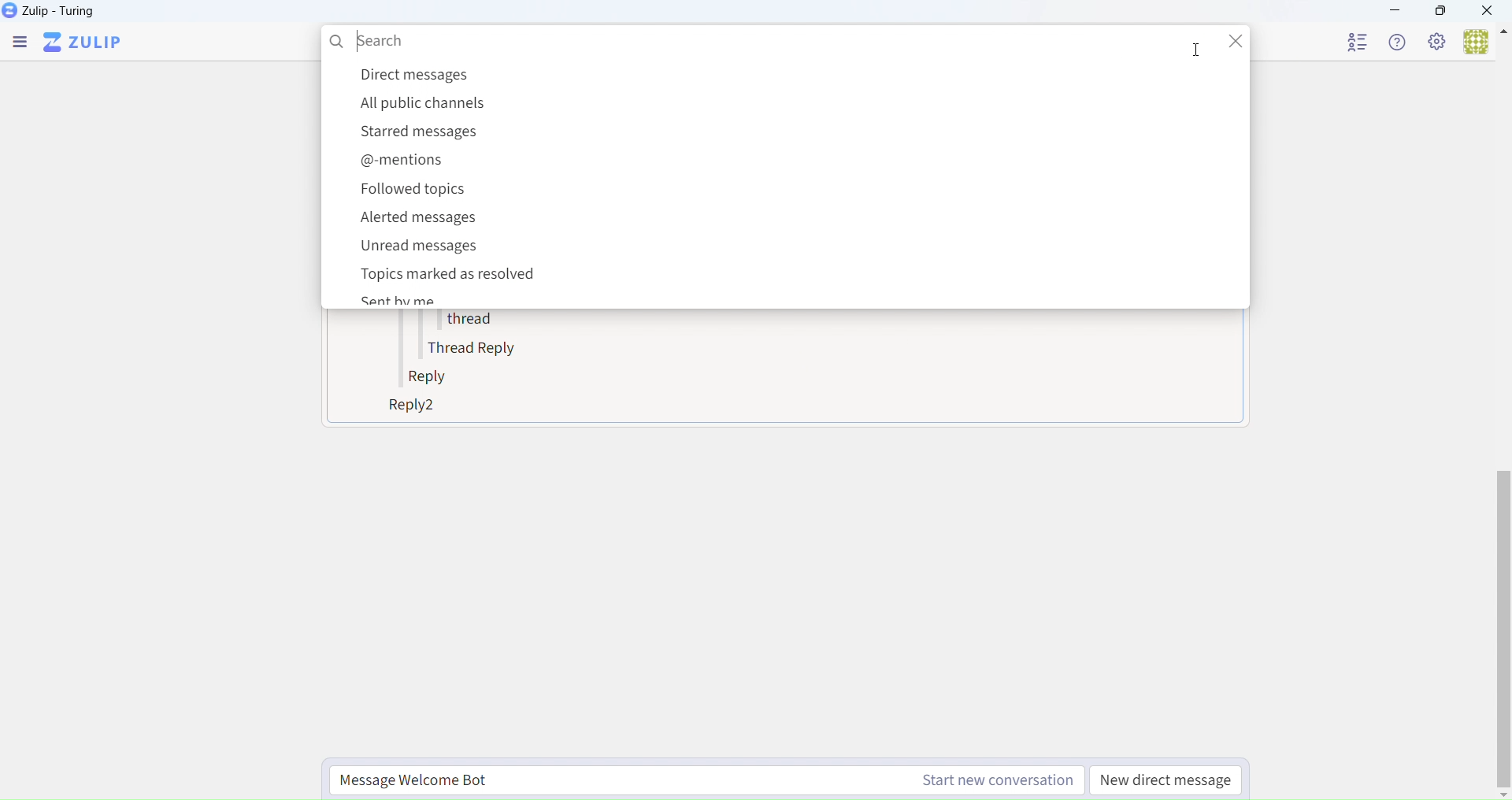 The height and width of the screenshot is (800, 1512). Describe the element at coordinates (1195, 52) in the screenshot. I see `Cursor` at that location.